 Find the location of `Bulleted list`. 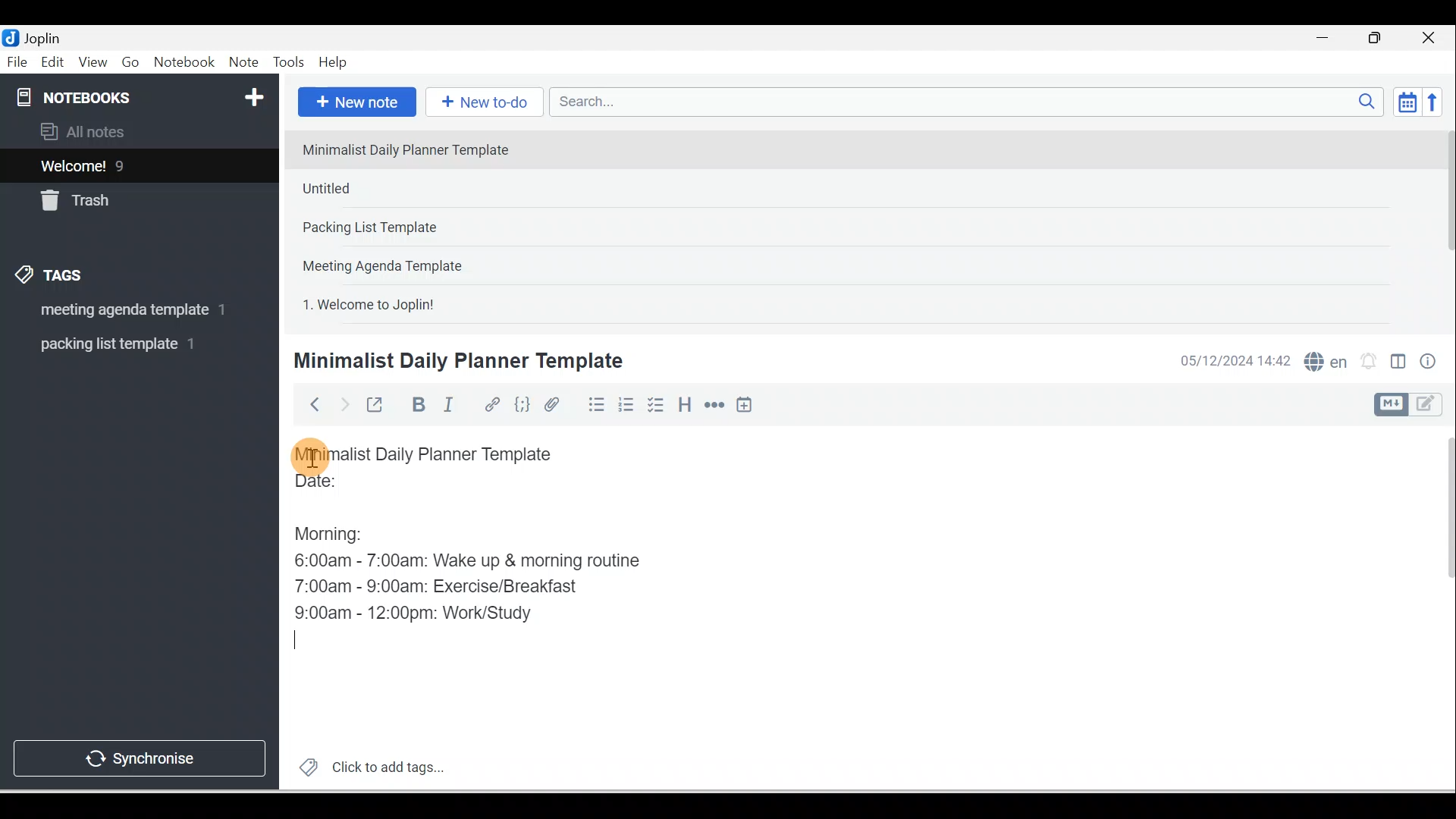

Bulleted list is located at coordinates (593, 404).